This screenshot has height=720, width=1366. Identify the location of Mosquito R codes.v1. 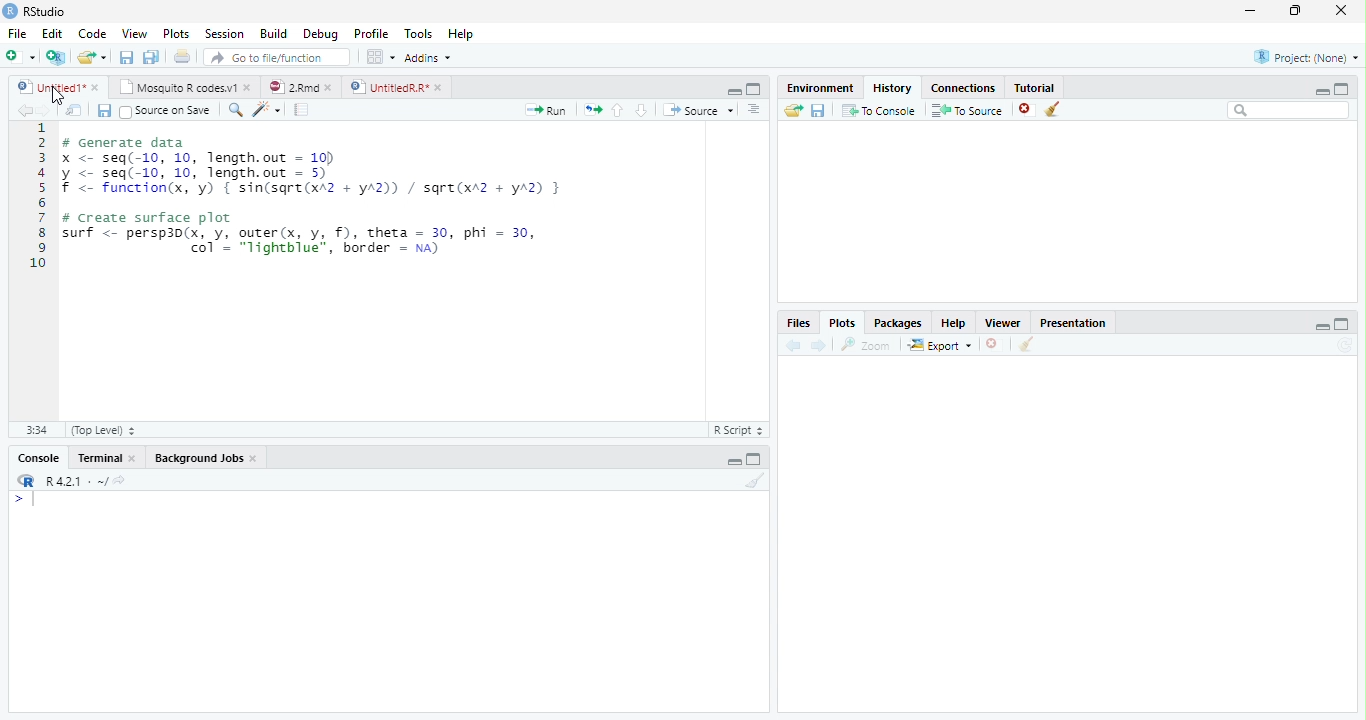
(175, 87).